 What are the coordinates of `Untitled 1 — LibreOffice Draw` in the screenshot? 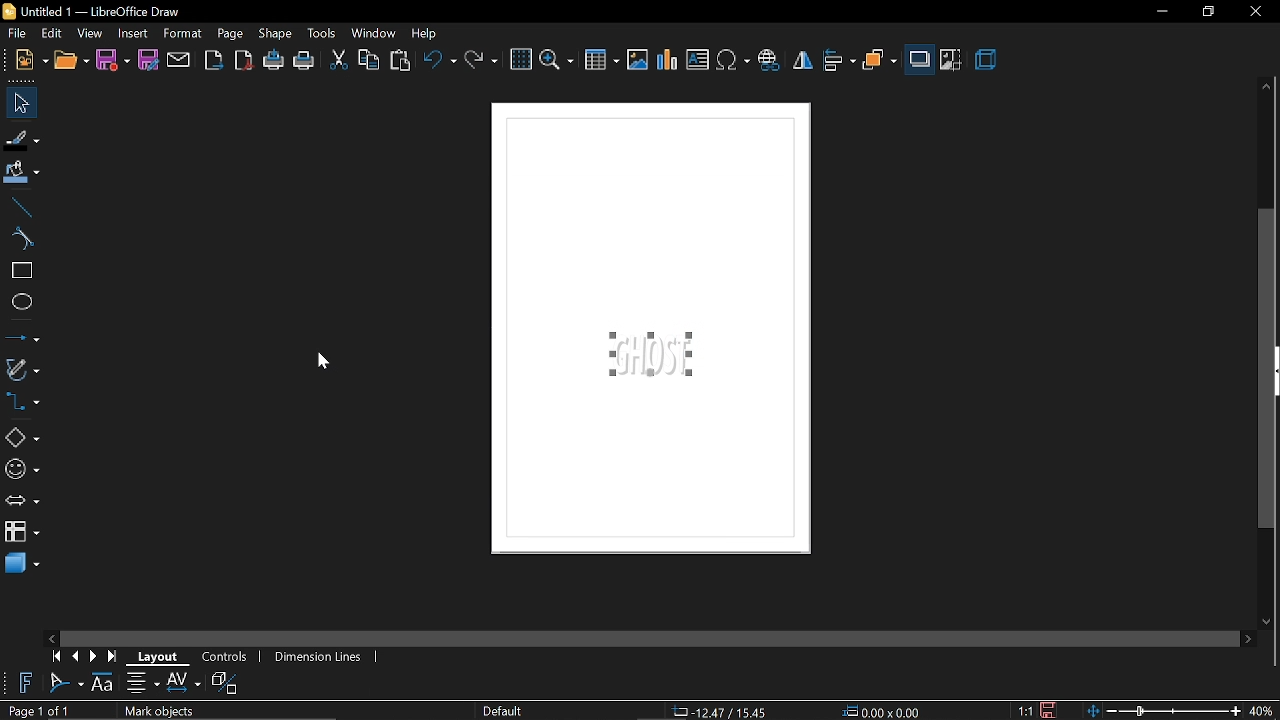 It's located at (103, 12).